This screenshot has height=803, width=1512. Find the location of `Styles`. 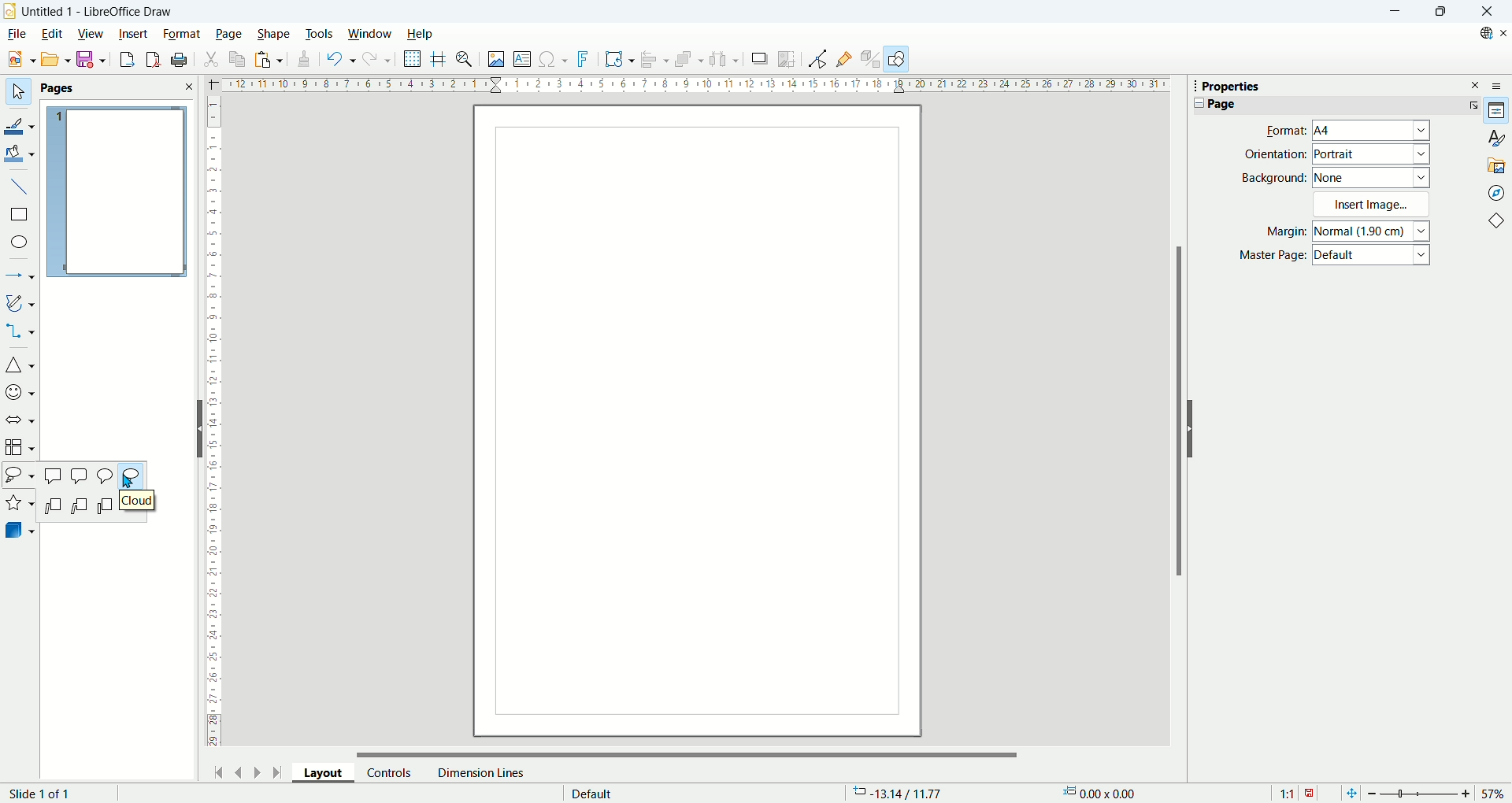

Styles is located at coordinates (1496, 138).